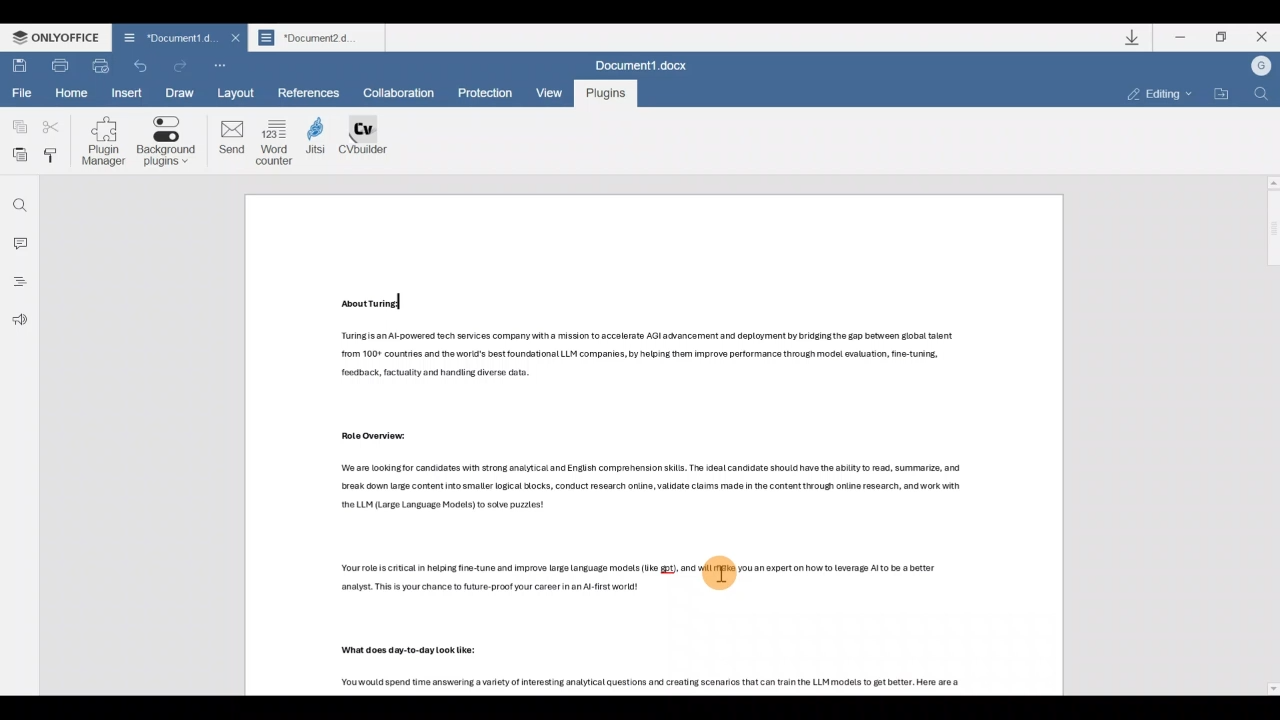 The width and height of the screenshot is (1280, 720). I want to click on Copy, so click(16, 128).